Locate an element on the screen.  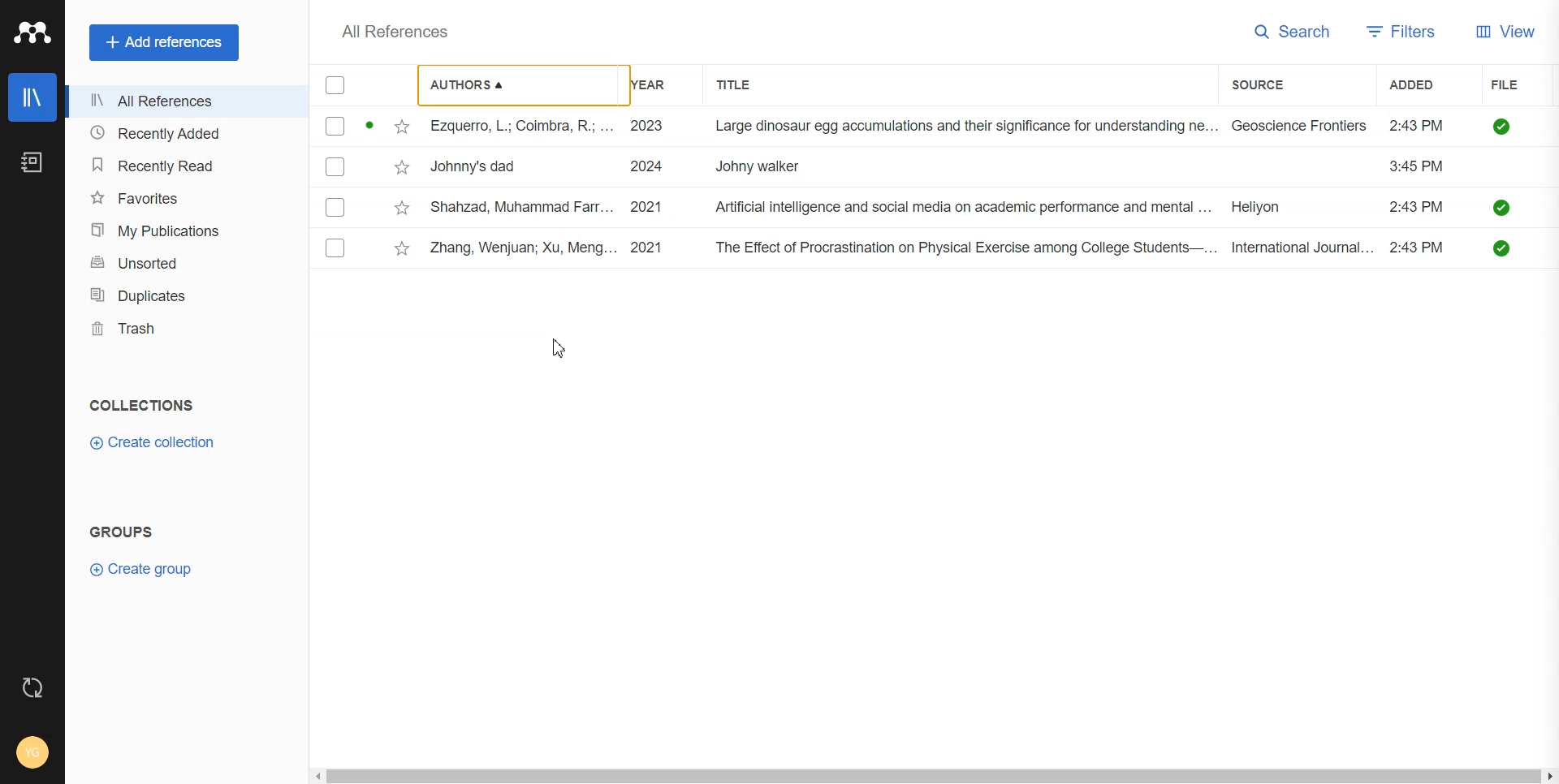
2021 is located at coordinates (648, 248).